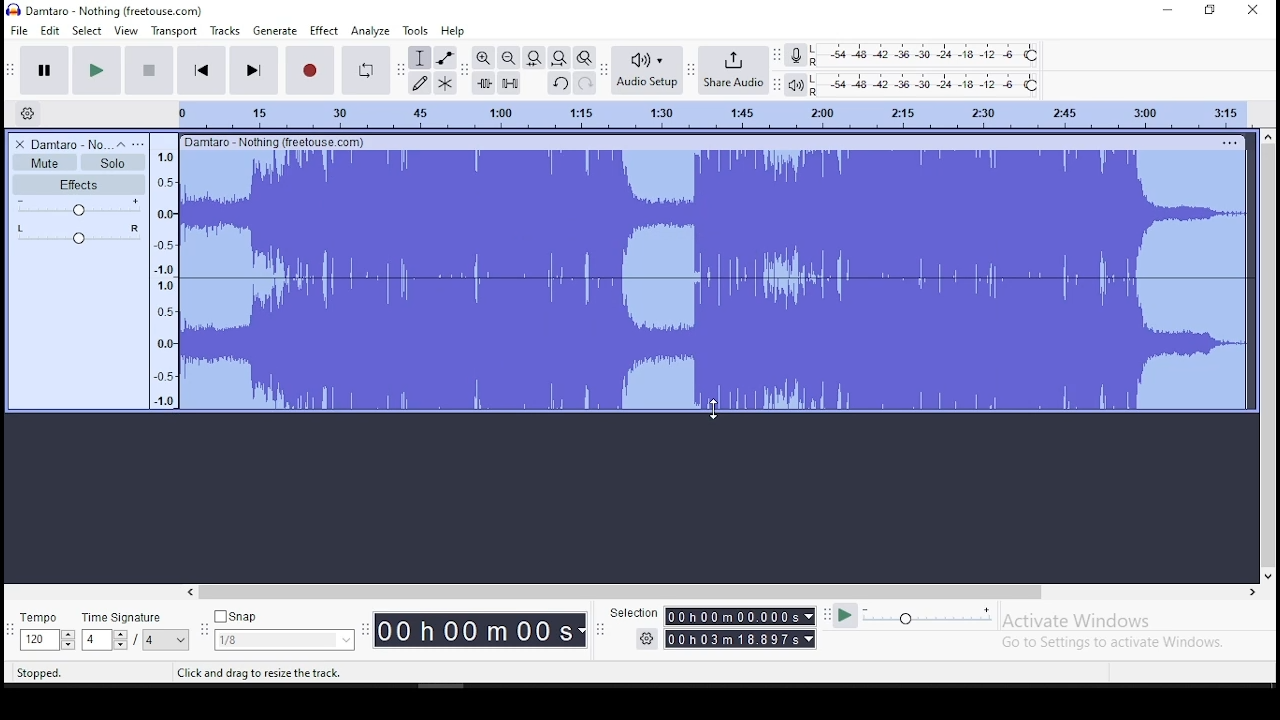  Describe the element at coordinates (113, 163) in the screenshot. I see `solo` at that location.